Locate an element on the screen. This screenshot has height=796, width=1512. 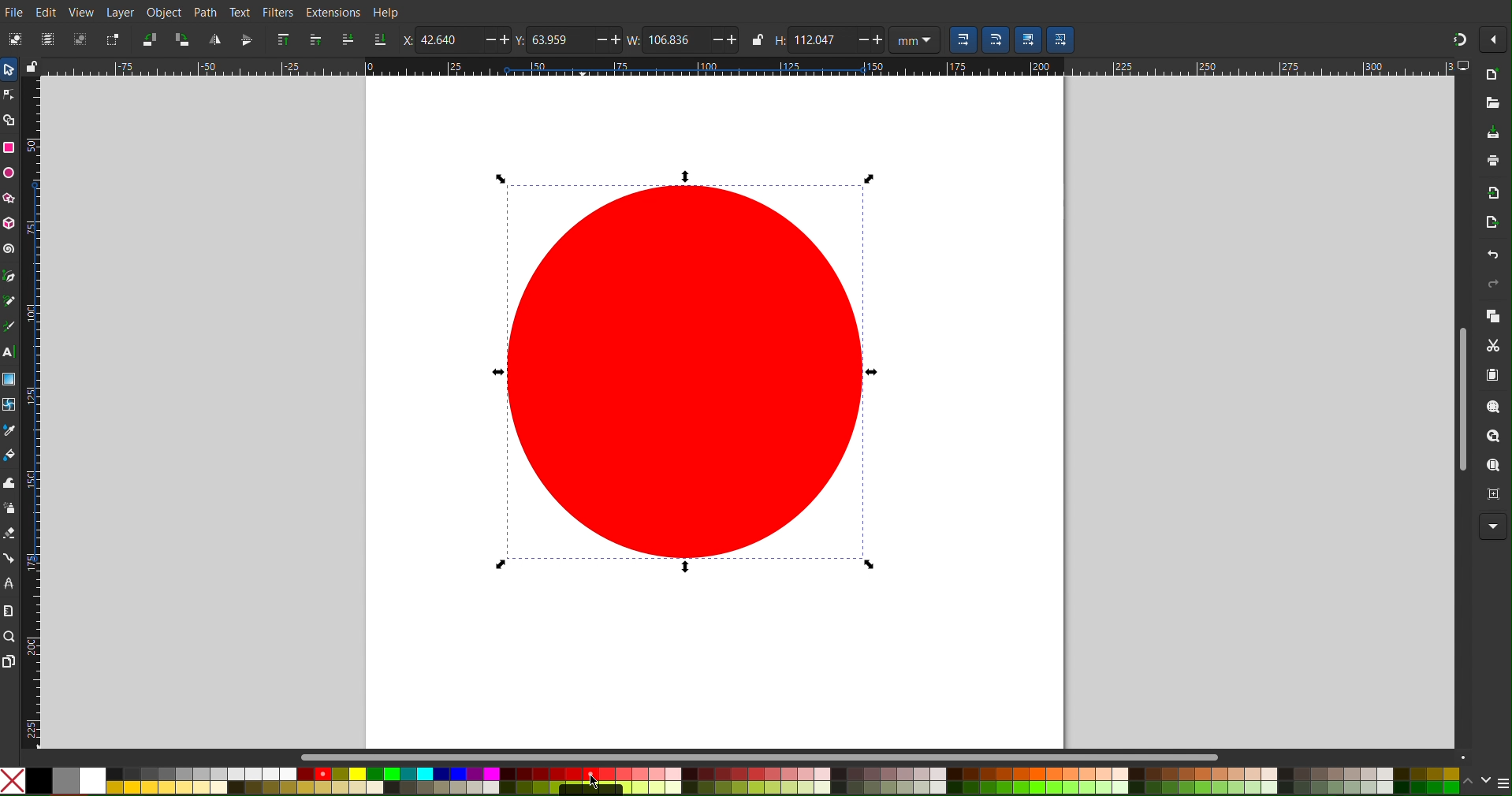
Scrollbar is located at coordinates (885, 757).